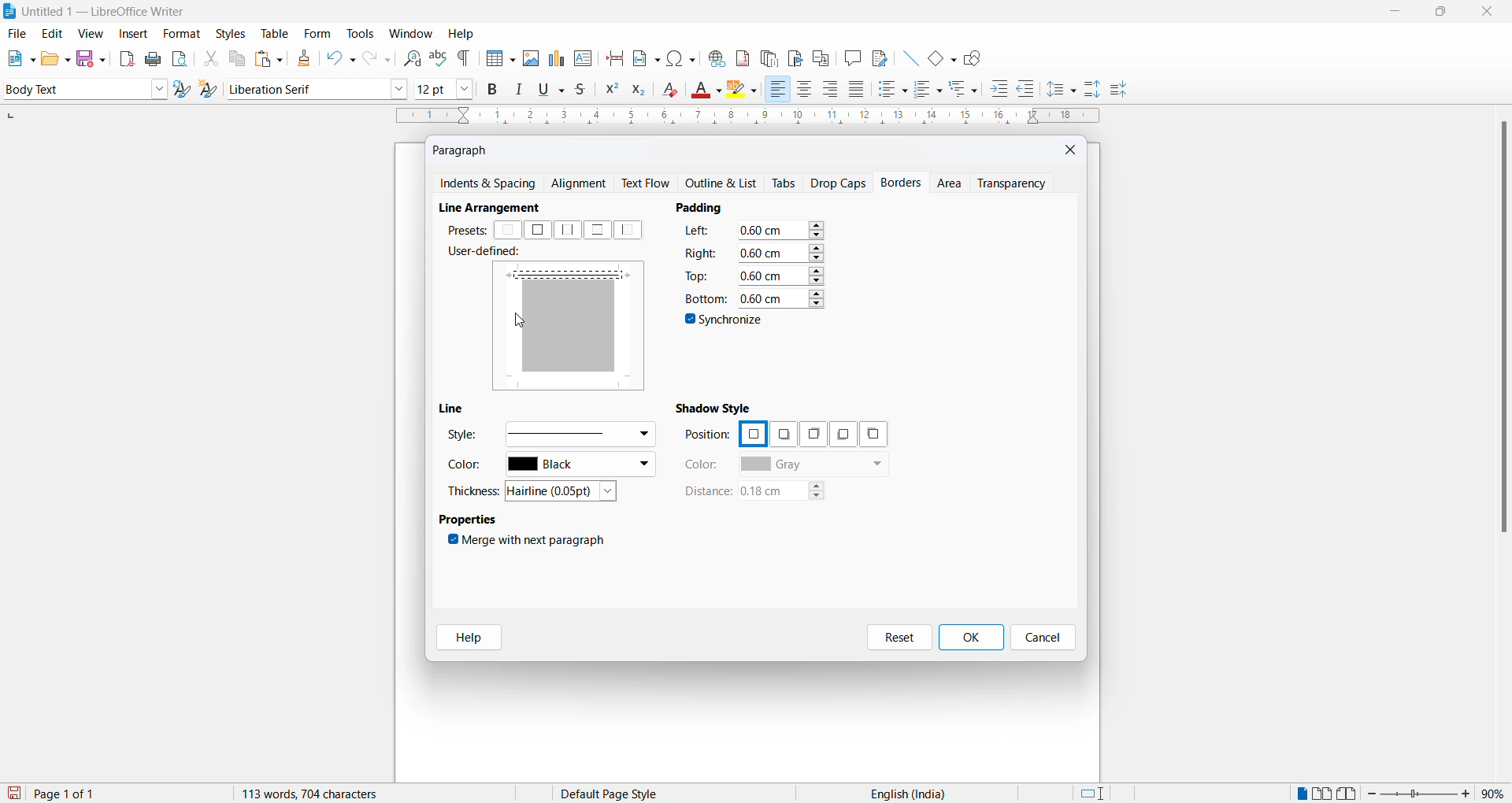 The image size is (1512, 803). Describe the element at coordinates (680, 56) in the screenshot. I see `insert special character` at that location.